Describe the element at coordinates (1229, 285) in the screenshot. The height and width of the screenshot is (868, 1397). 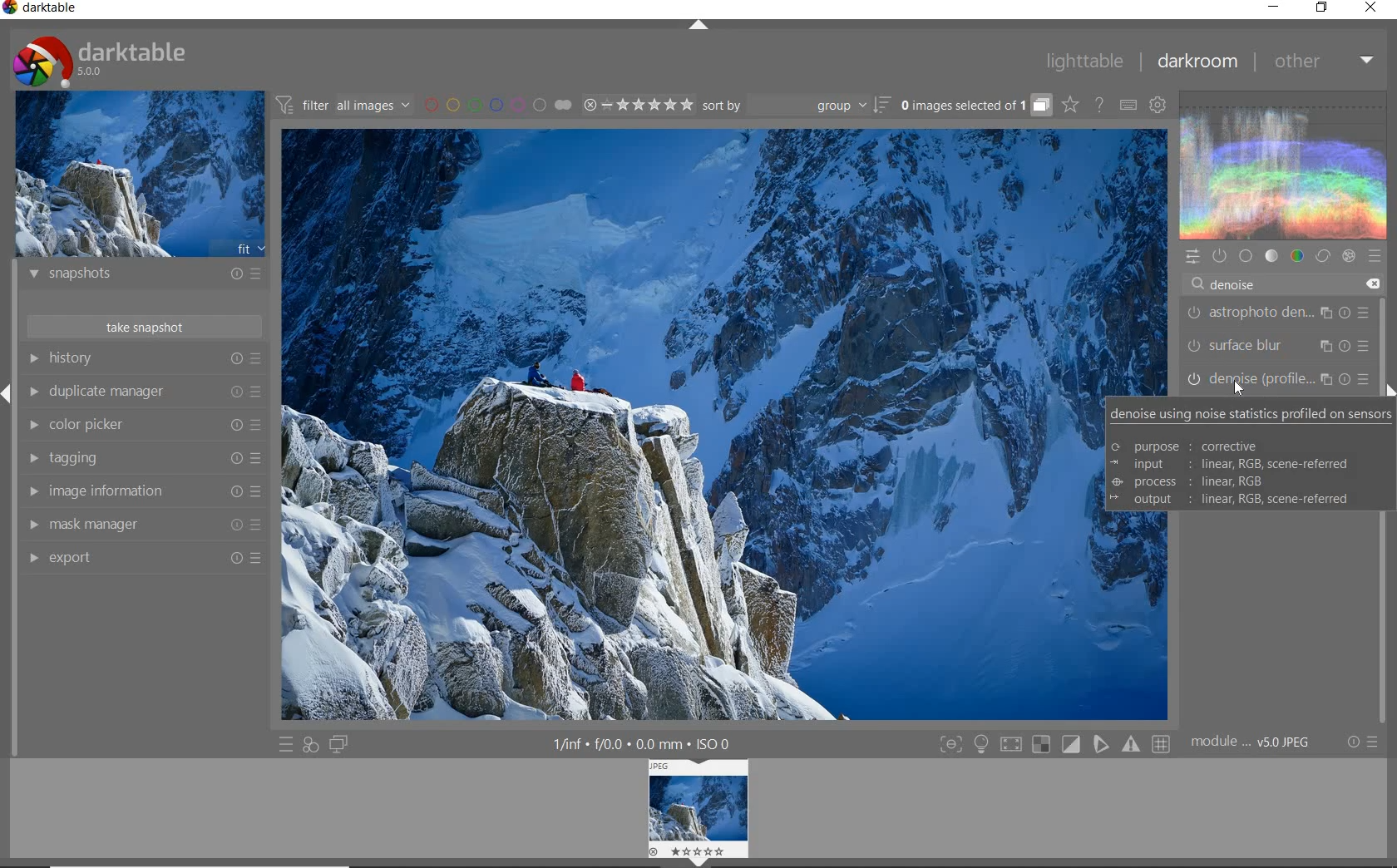
I see `DENOISE` at that location.